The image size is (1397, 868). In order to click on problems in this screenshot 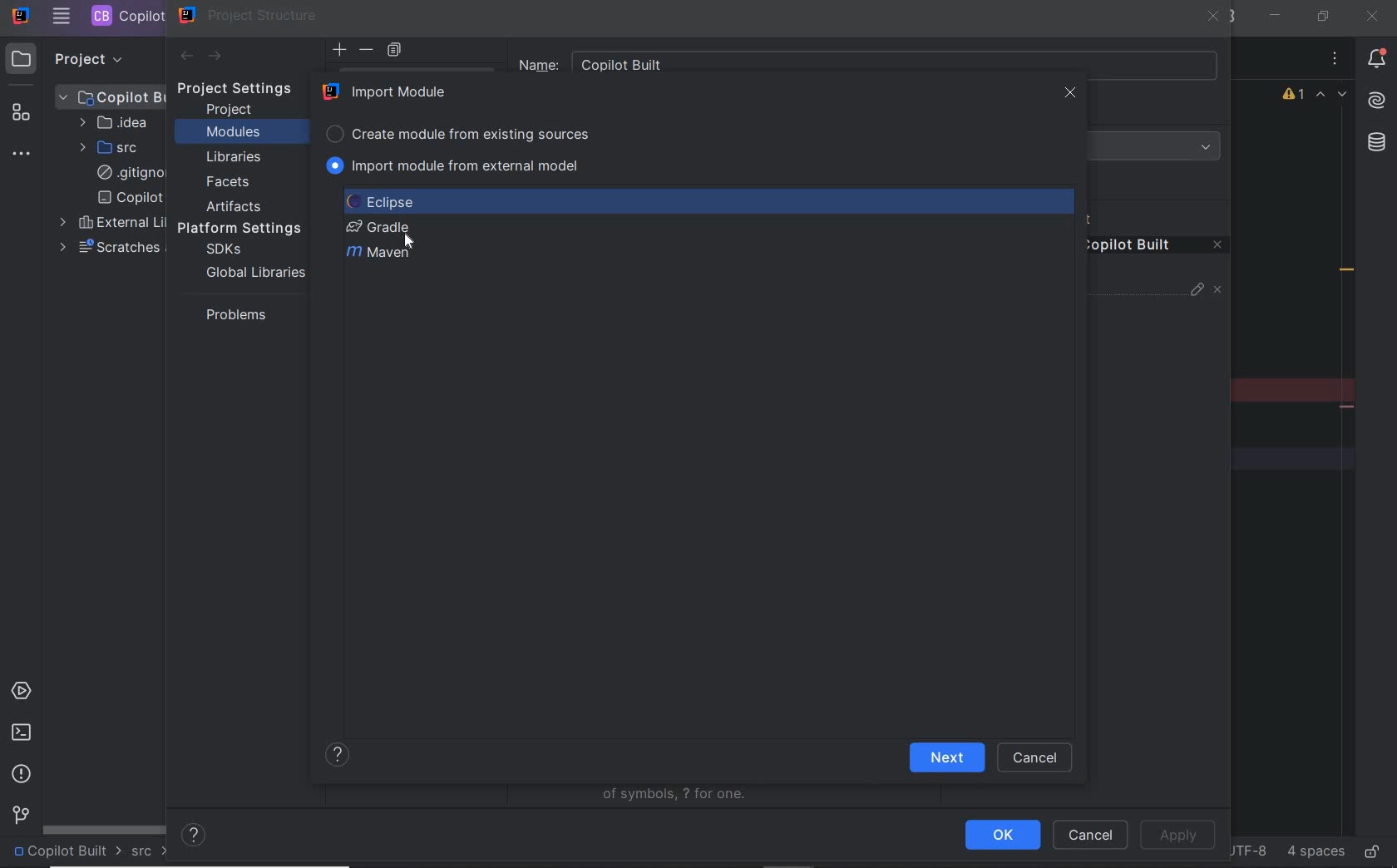, I will do `click(232, 314)`.